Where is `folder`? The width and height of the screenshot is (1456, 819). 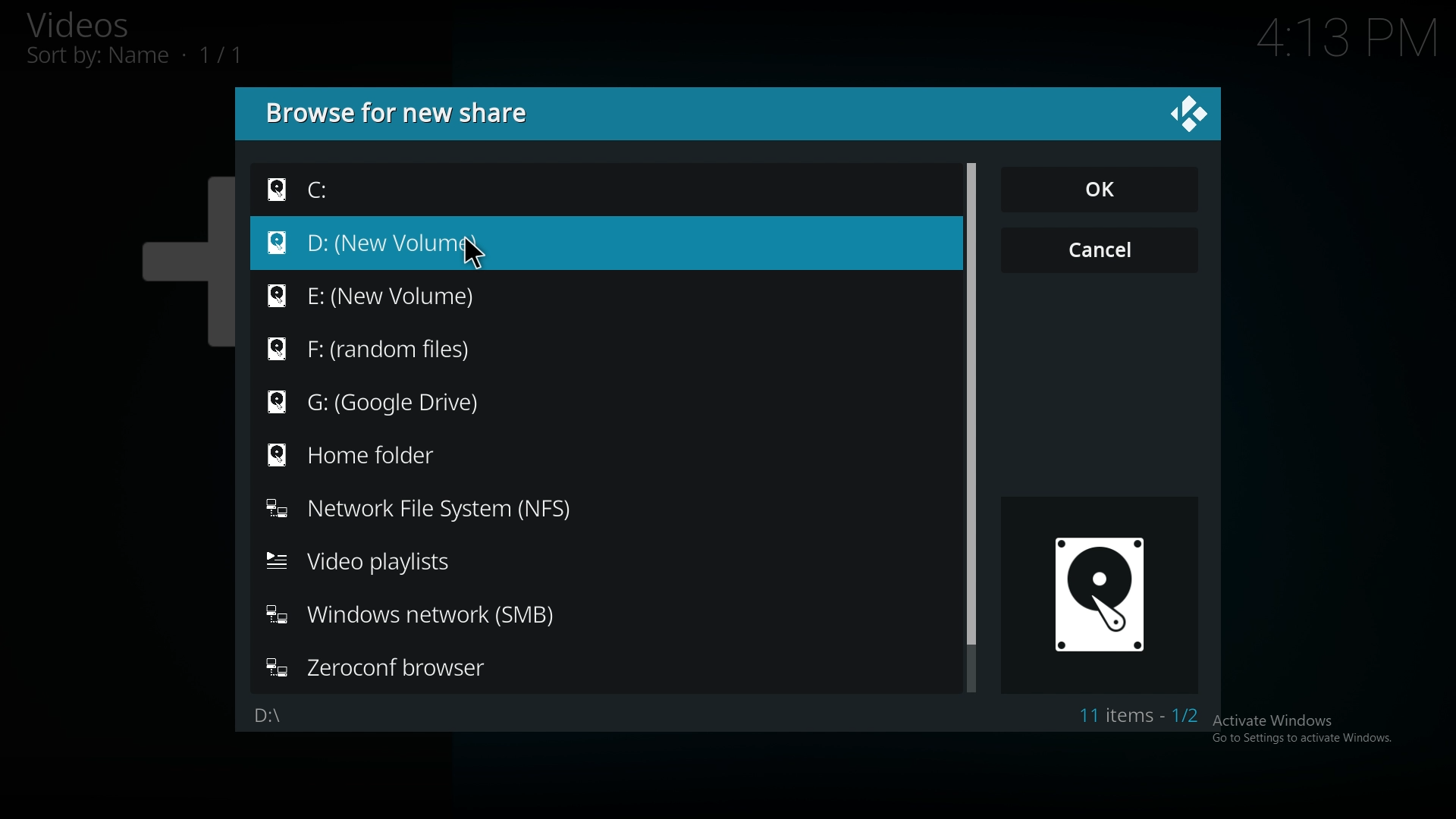 folder is located at coordinates (392, 349).